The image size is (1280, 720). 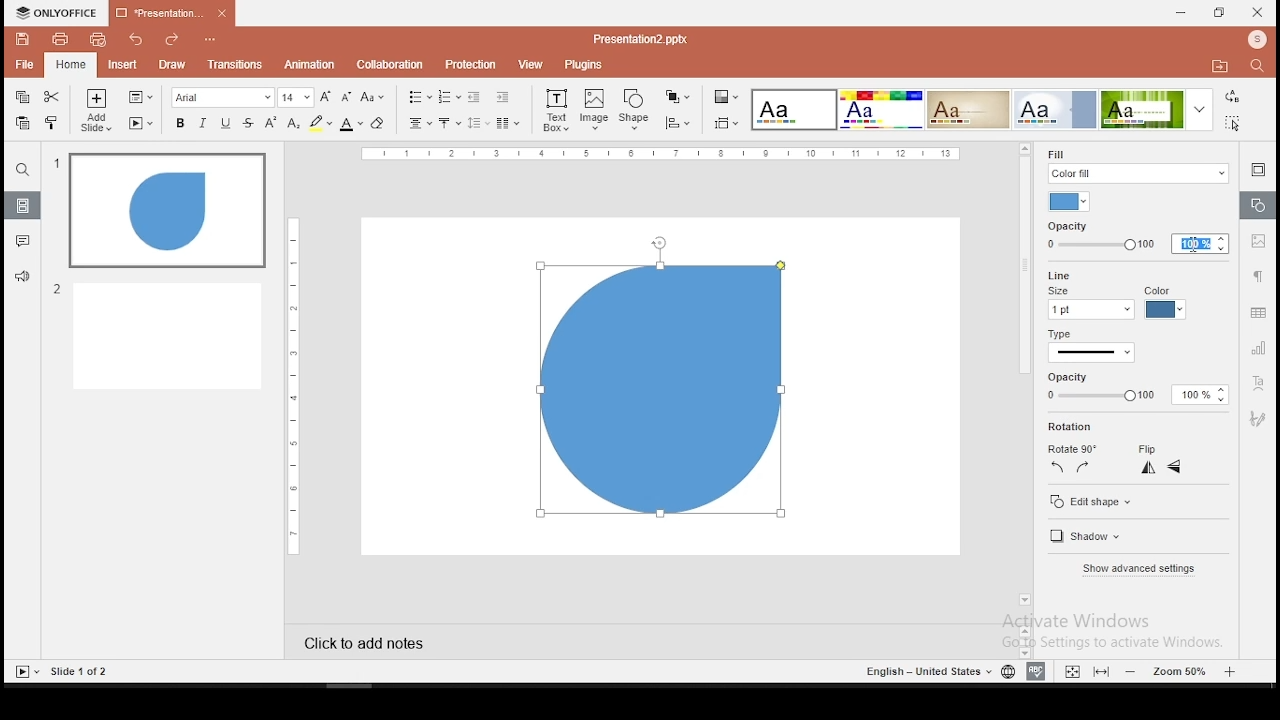 What do you see at coordinates (1256, 169) in the screenshot?
I see `slide settings` at bounding box center [1256, 169].